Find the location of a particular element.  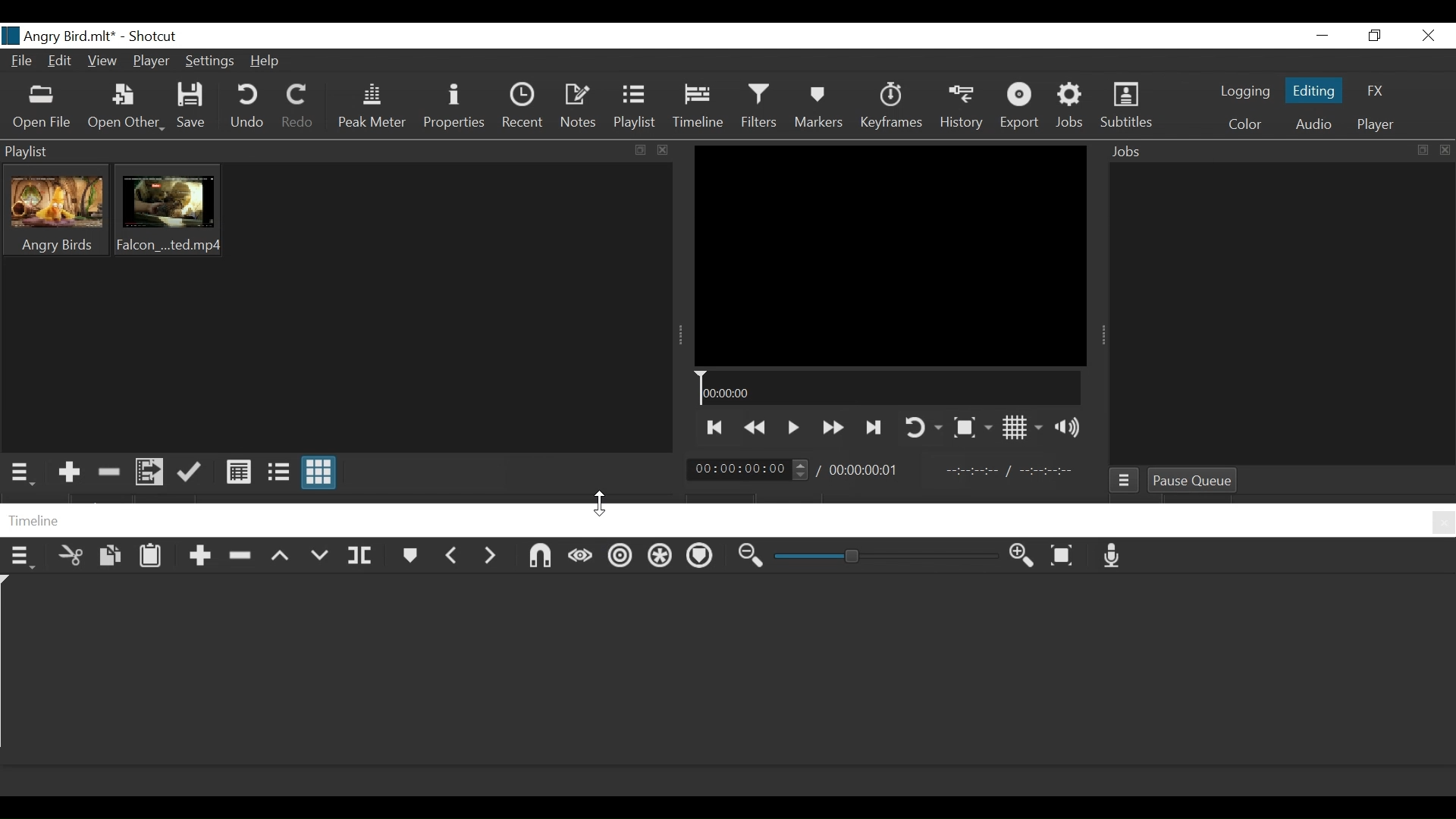

Color is located at coordinates (1245, 124).